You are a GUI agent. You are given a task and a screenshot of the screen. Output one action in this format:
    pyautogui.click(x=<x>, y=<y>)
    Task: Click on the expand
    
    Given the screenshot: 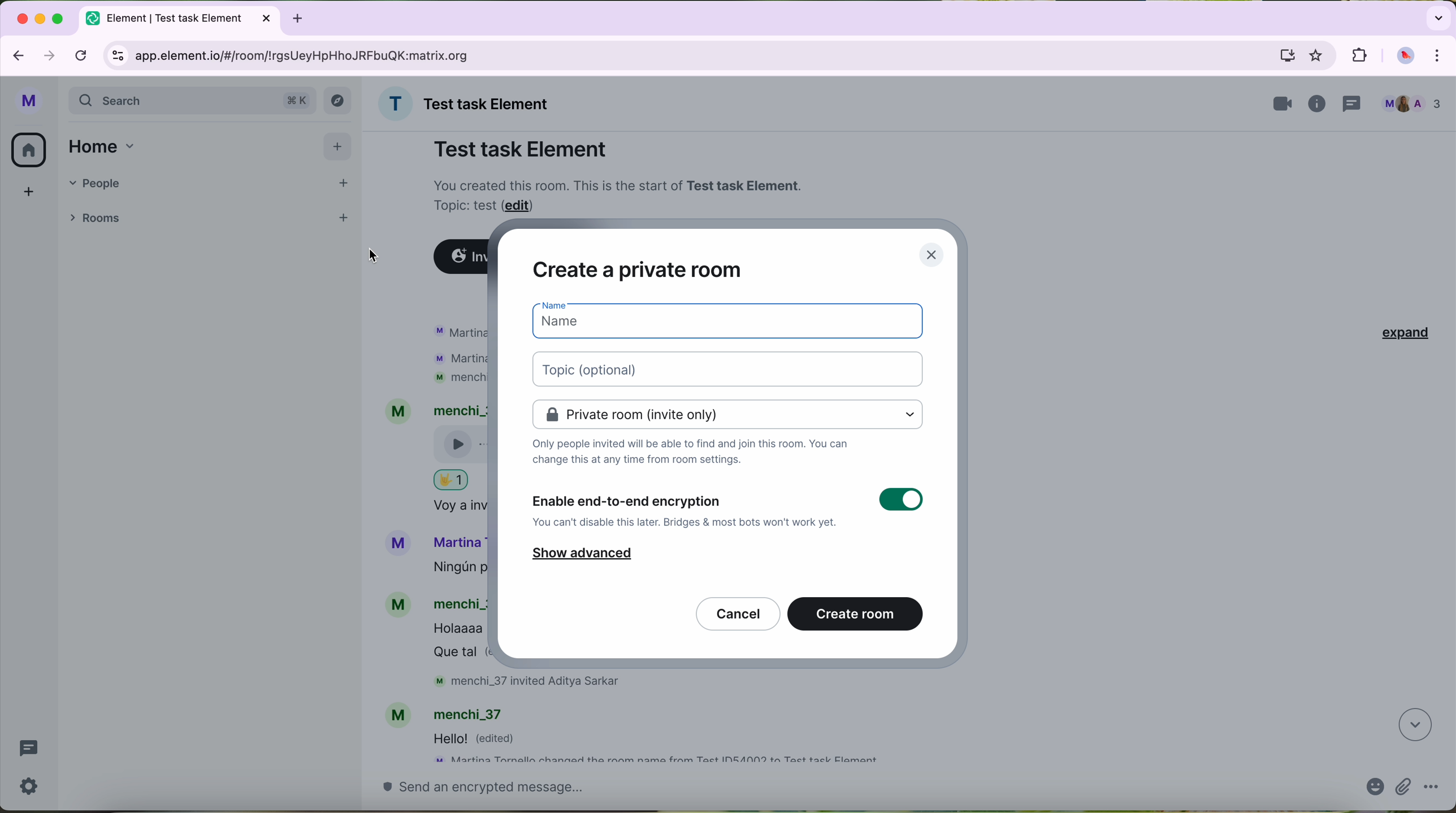 What is the action you would take?
    pyautogui.click(x=1399, y=332)
    